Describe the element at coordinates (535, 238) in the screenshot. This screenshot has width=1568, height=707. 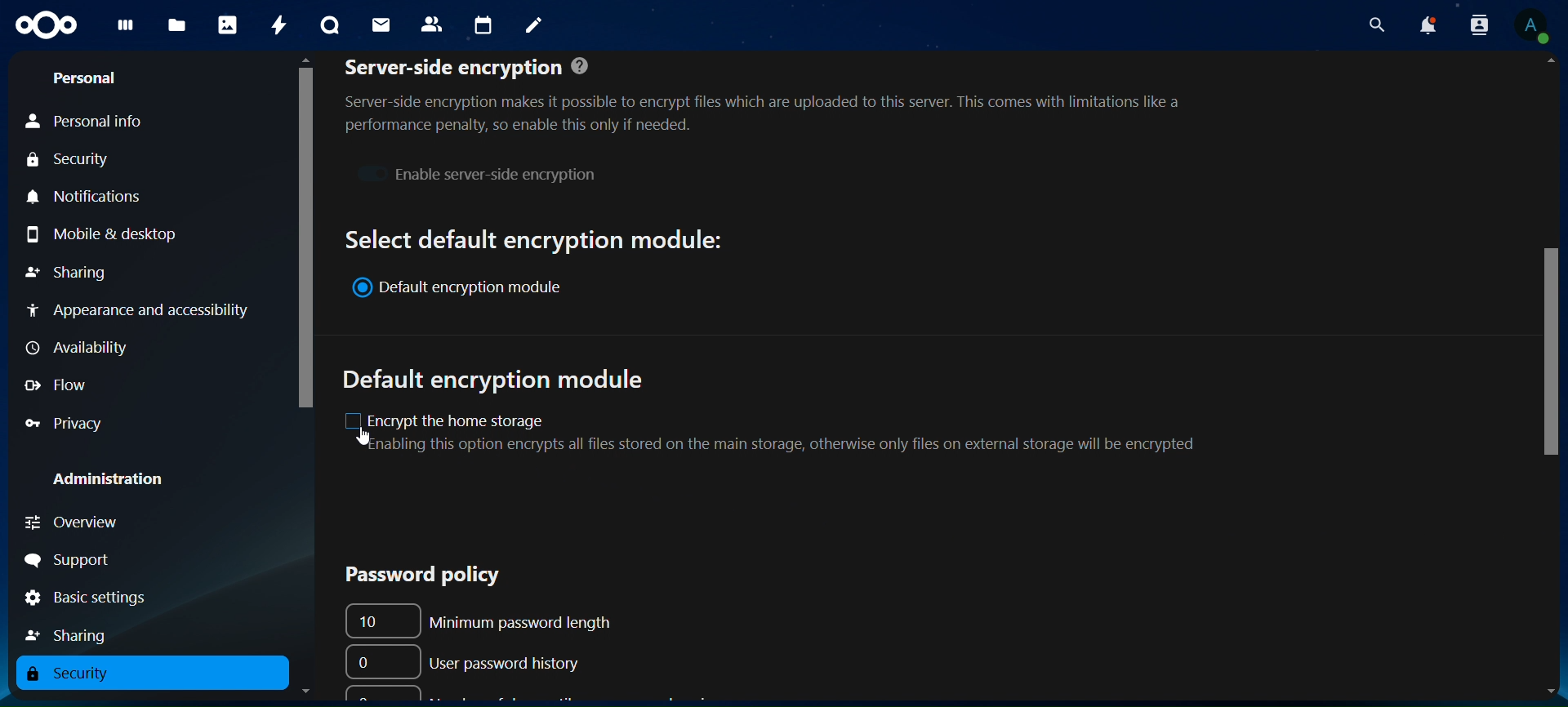
I see `text` at that location.